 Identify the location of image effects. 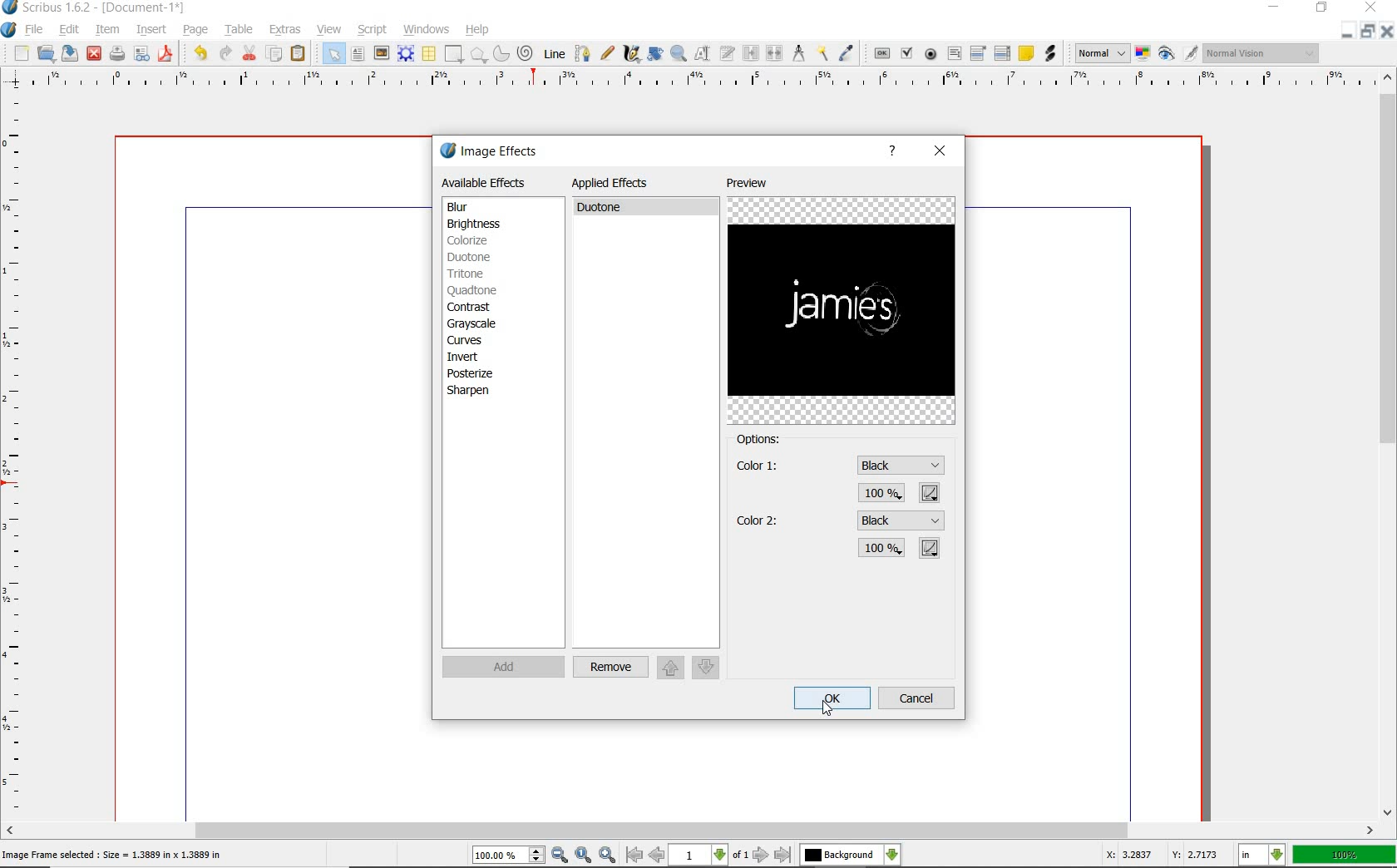
(493, 152).